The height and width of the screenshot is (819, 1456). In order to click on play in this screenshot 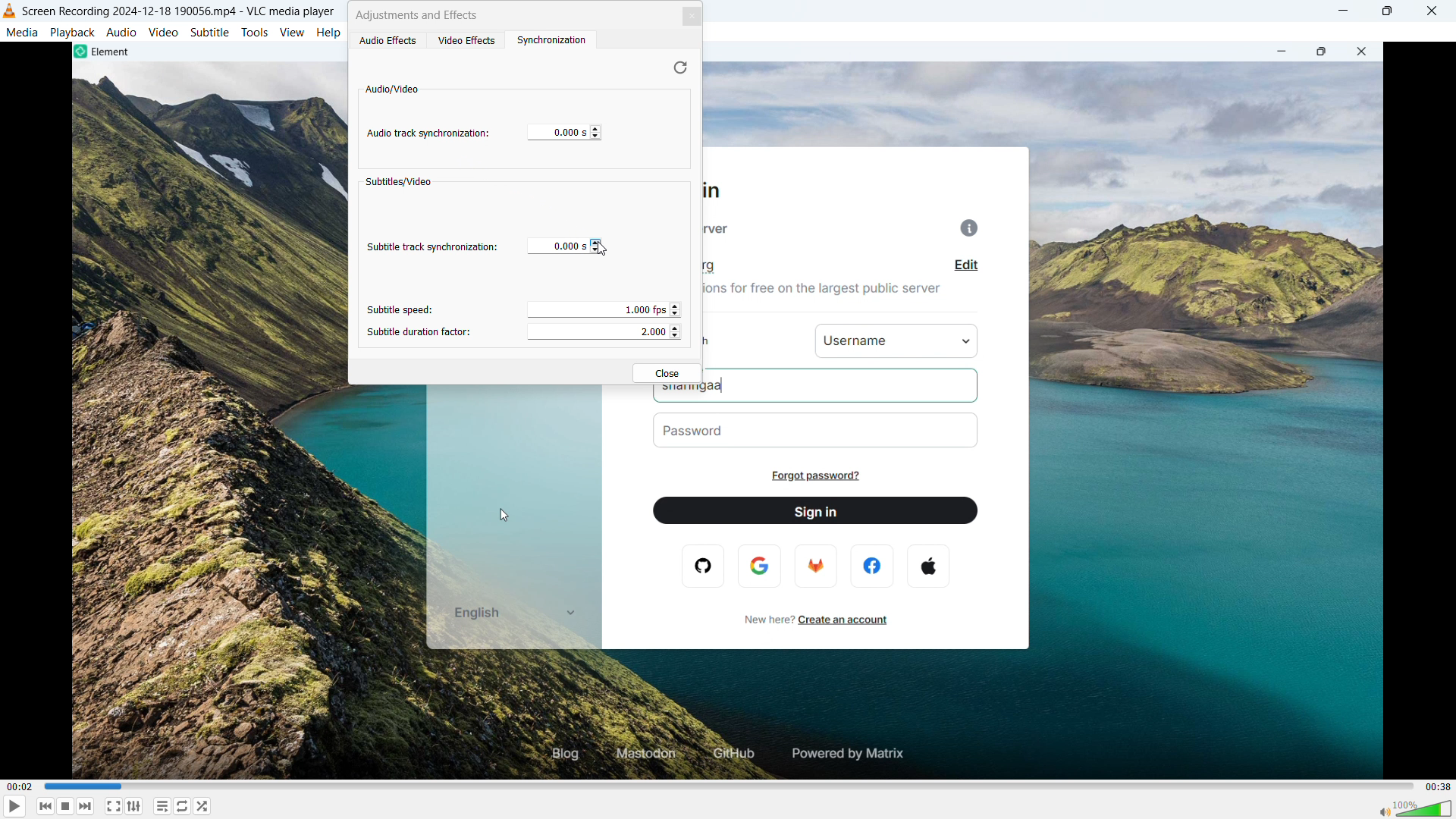, I will do `click(16, 807)`.